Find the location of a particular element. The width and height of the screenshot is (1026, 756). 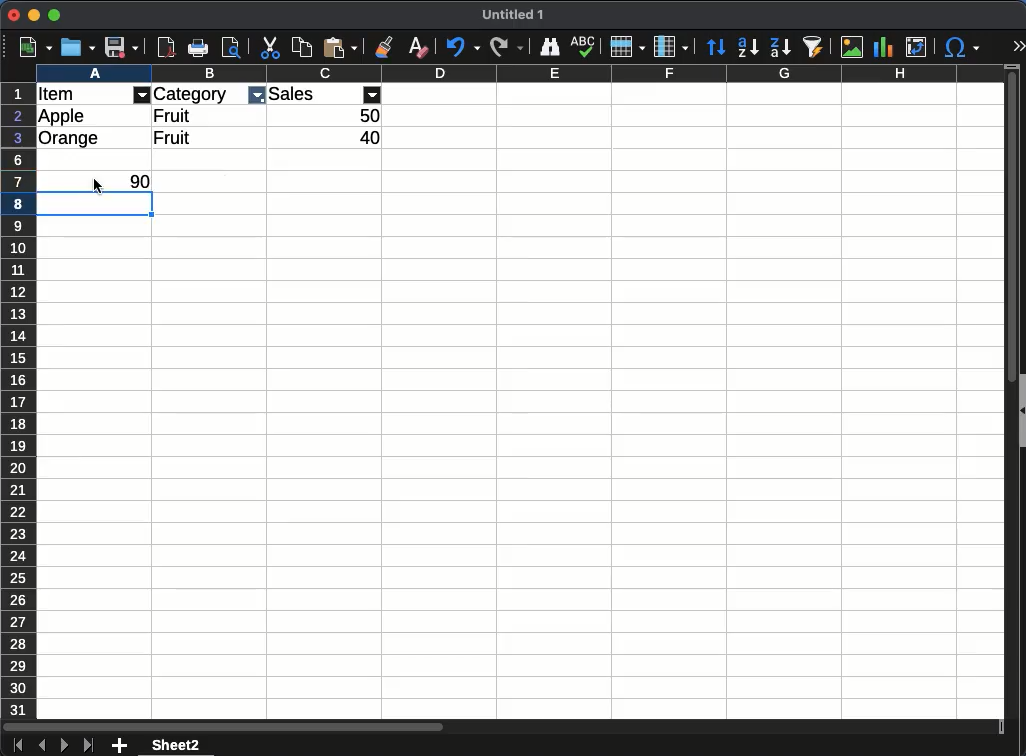

filter is located at coordinates (142, 95).